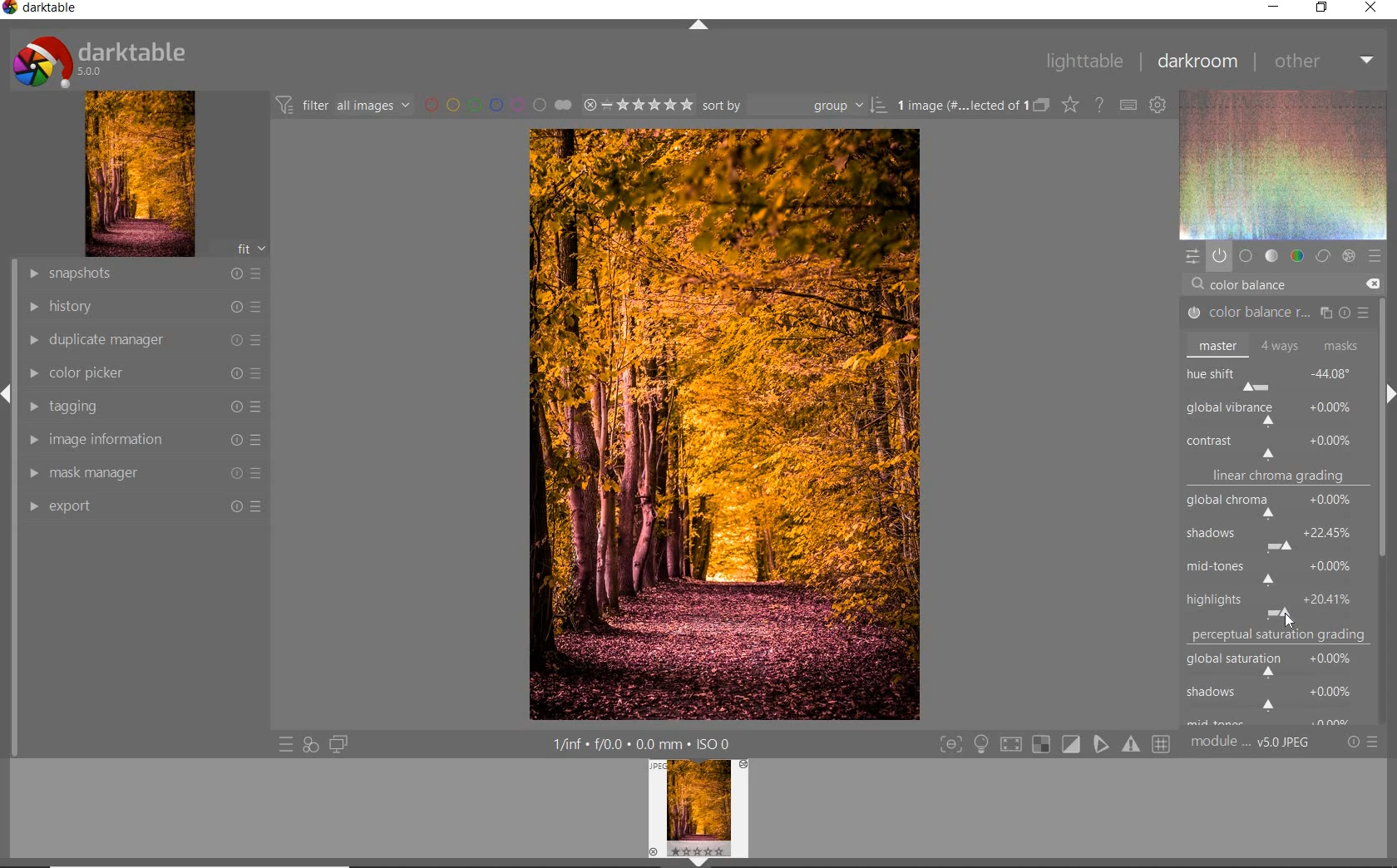  I want to click on selected images, so click(959, 106).